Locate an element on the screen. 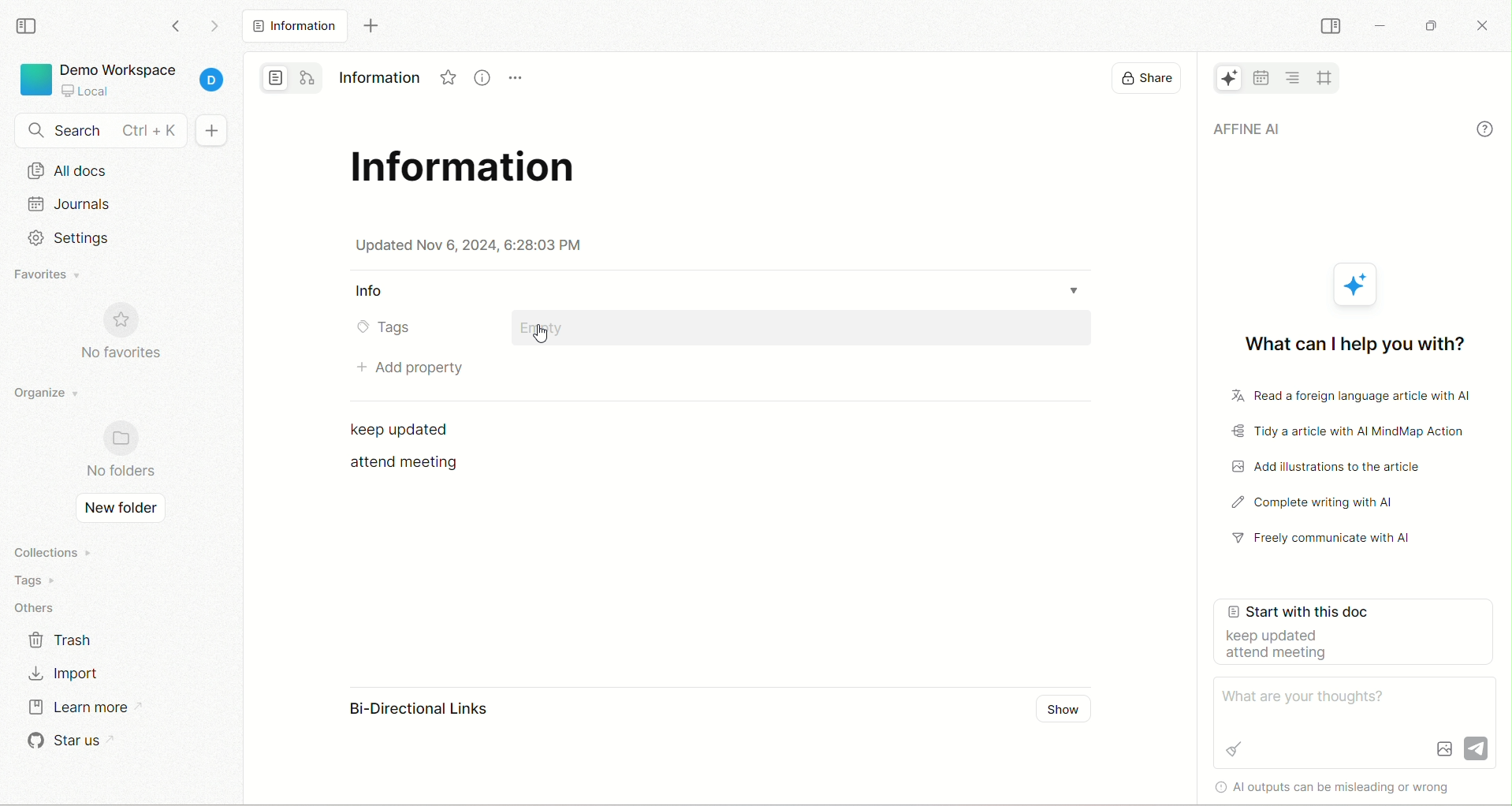  others is located at coordinates (39, 605).